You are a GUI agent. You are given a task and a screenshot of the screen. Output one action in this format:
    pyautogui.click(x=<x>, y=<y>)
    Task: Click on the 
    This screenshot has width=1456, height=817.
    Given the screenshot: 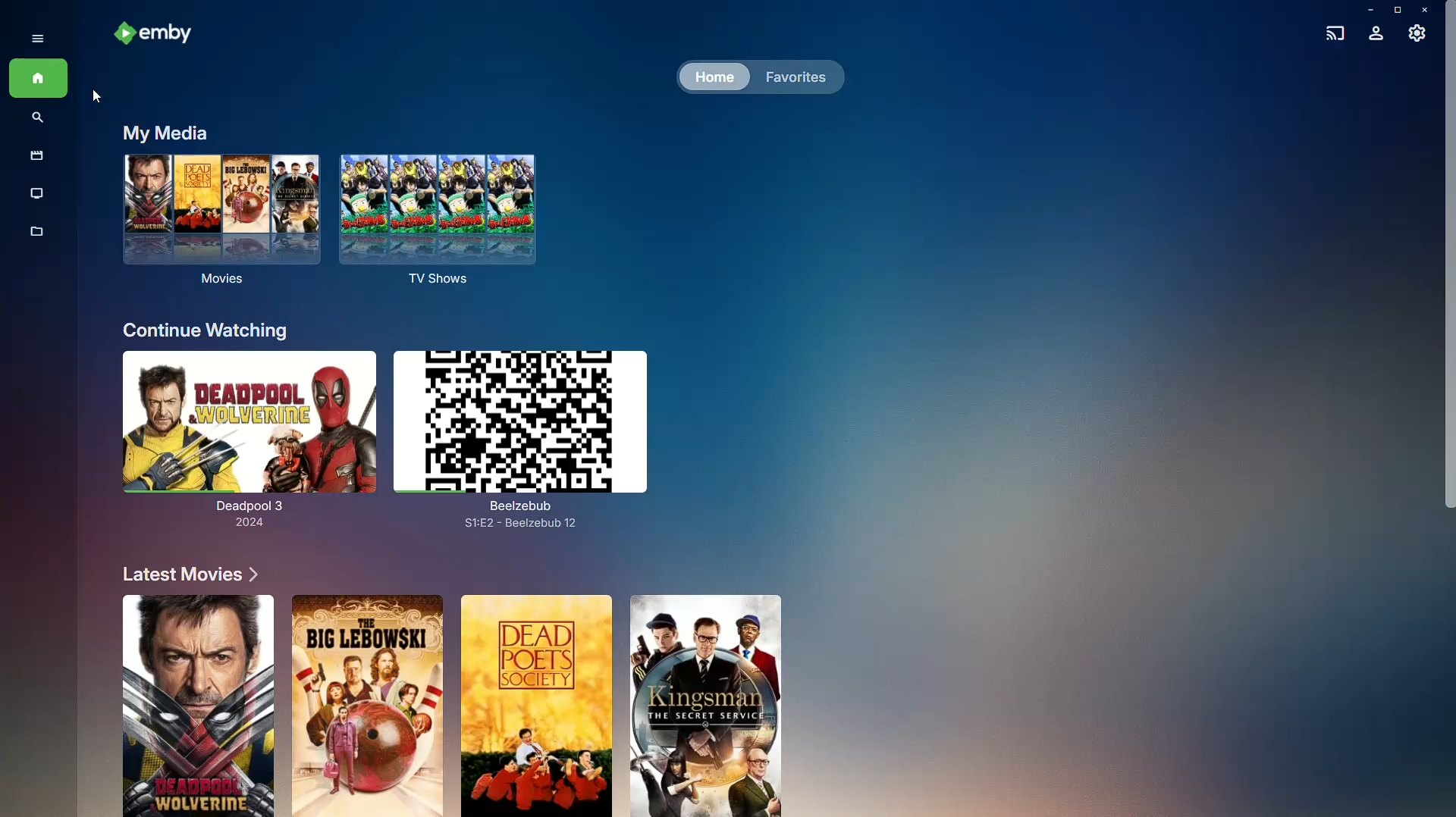 What is the action you would take?
    pyautogui.click(x=711, y=704)
    